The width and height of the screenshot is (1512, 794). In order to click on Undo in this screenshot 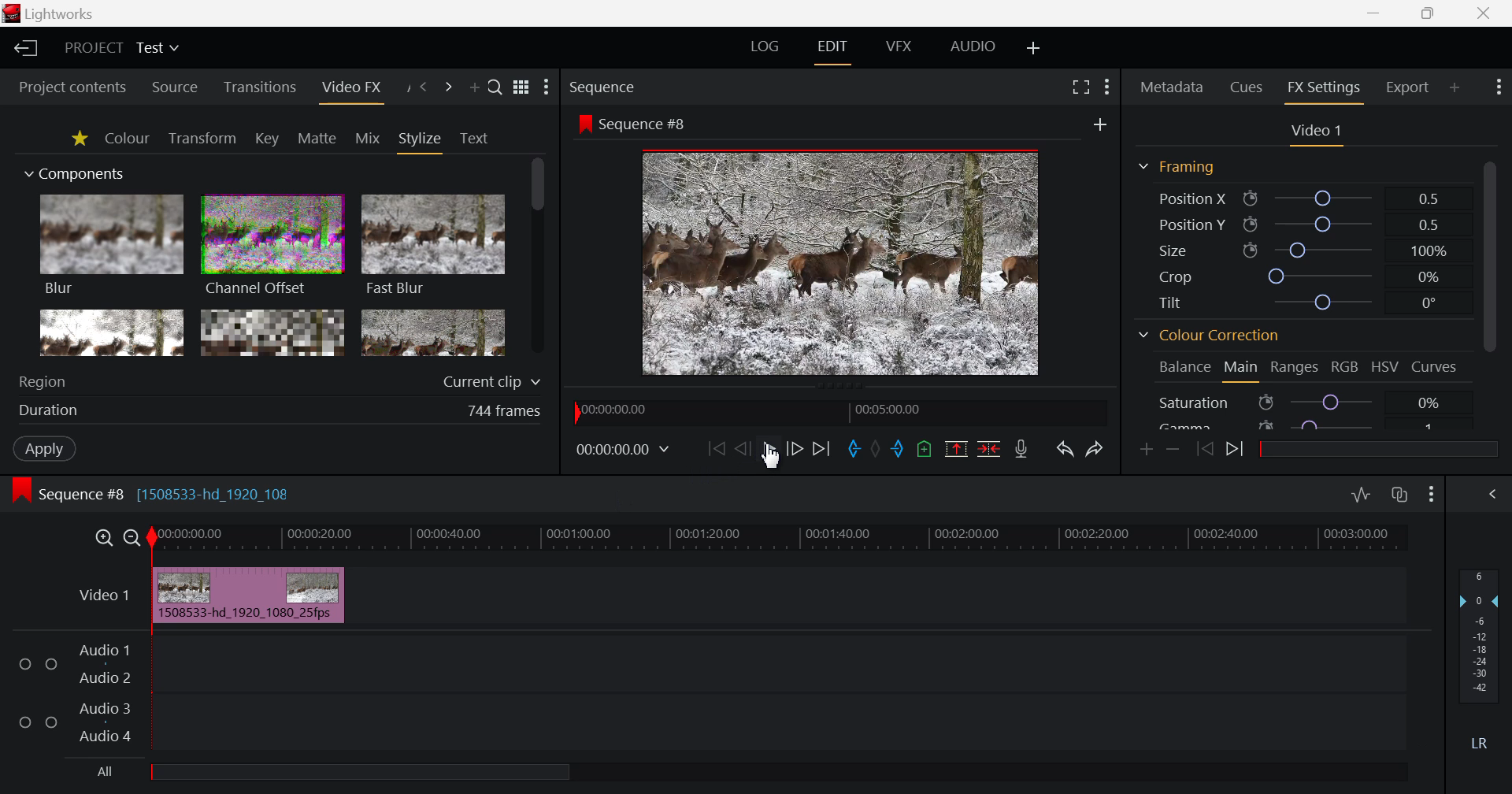, I will do `click(1065, 451)`.